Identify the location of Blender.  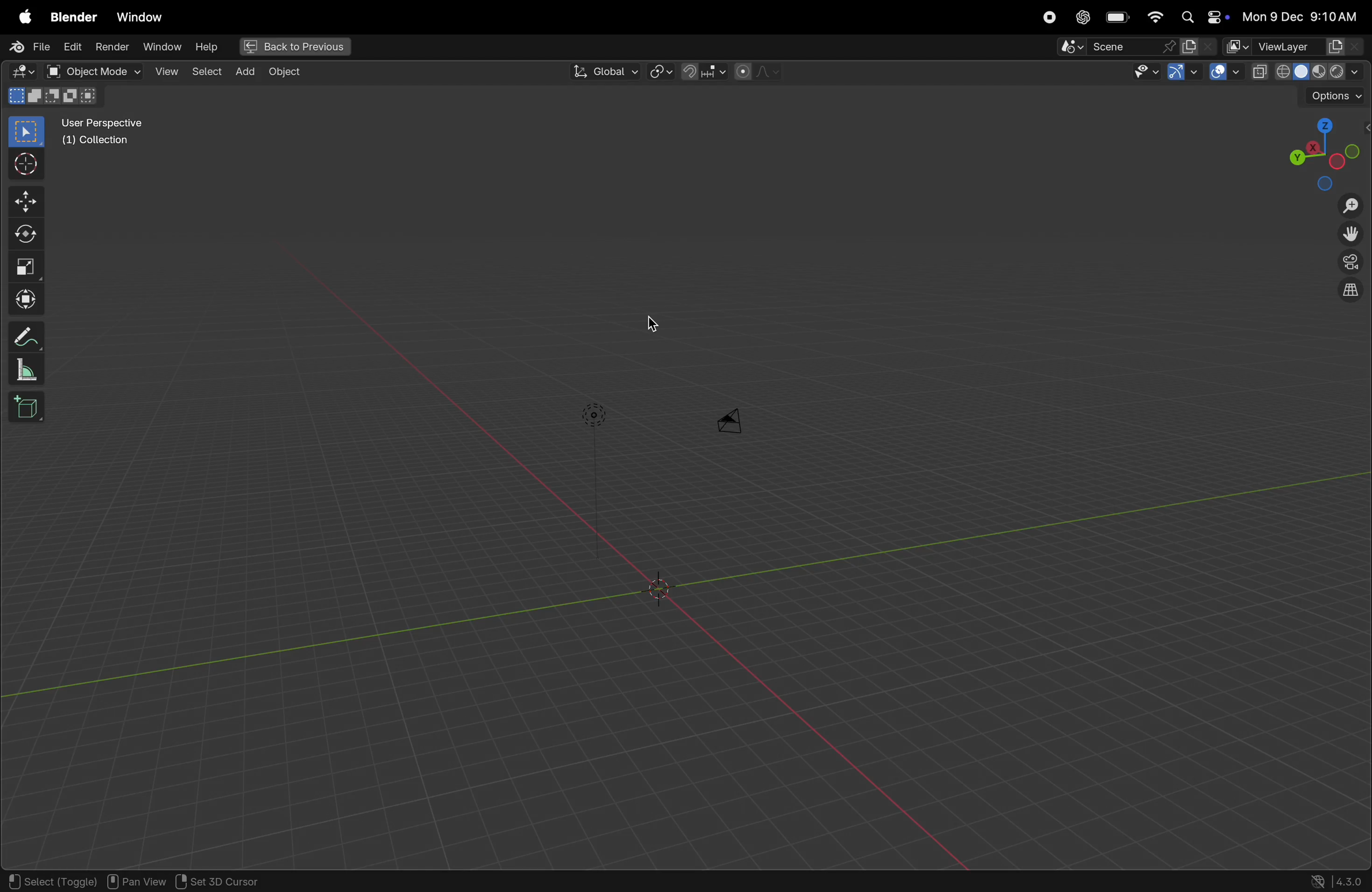
(70, 16).